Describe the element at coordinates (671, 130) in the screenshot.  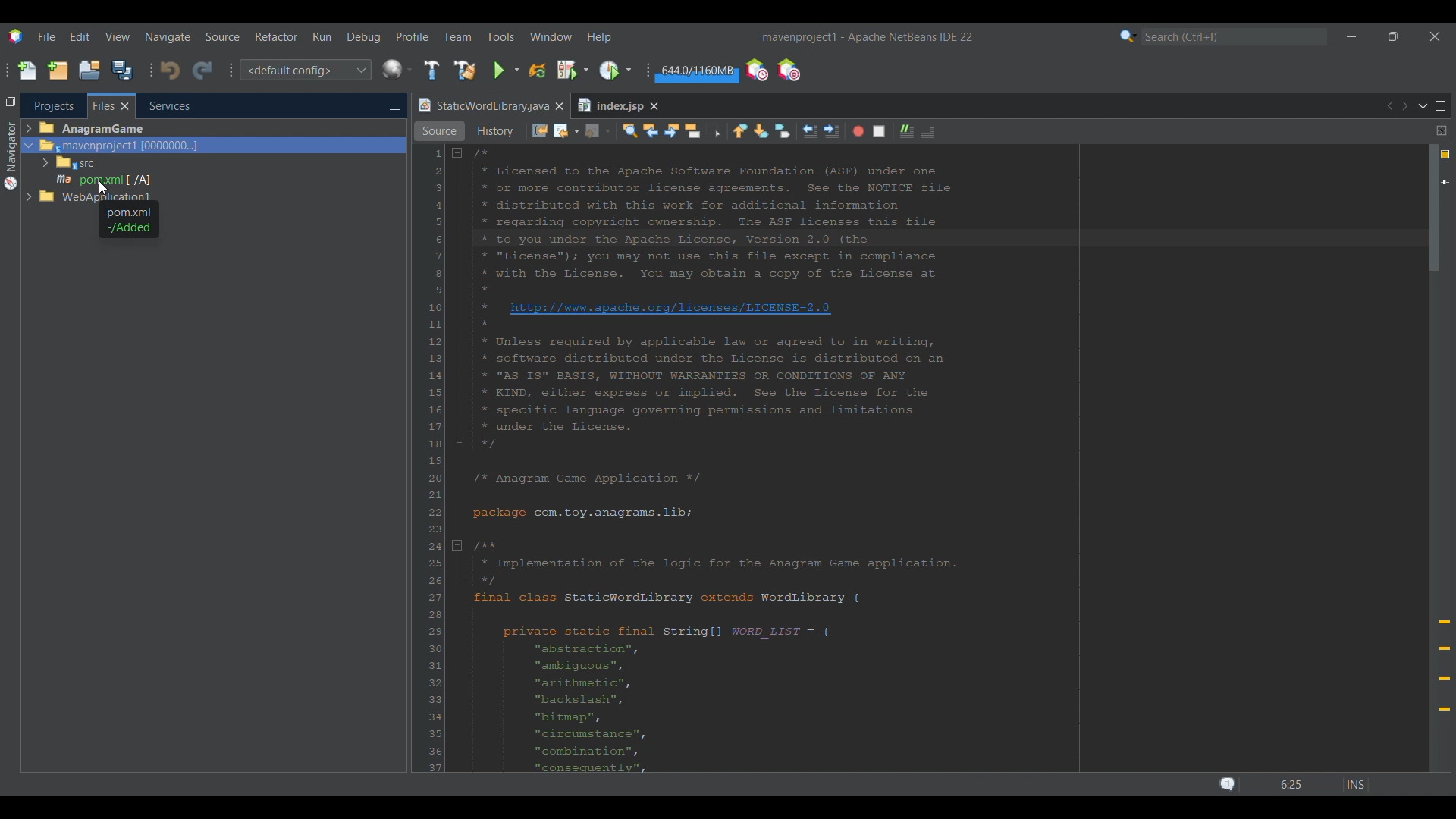
I see `Find next occurrence ` at that location.